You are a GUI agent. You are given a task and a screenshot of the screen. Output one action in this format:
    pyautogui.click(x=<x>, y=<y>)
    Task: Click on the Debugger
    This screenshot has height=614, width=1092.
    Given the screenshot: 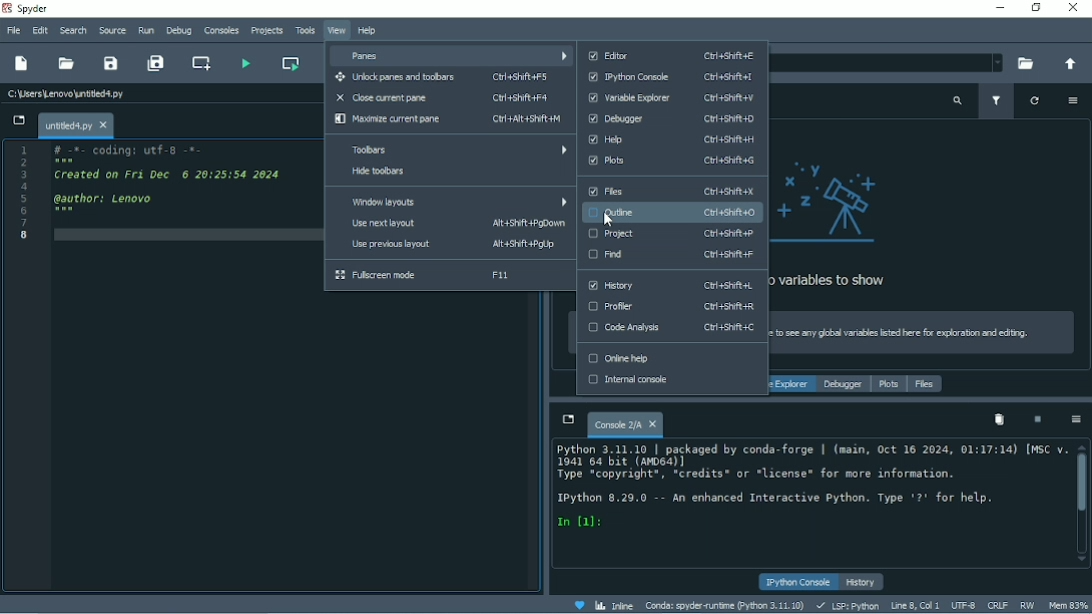 What is the action you would take?
    pyautogui.click(x=843, y=385)
    